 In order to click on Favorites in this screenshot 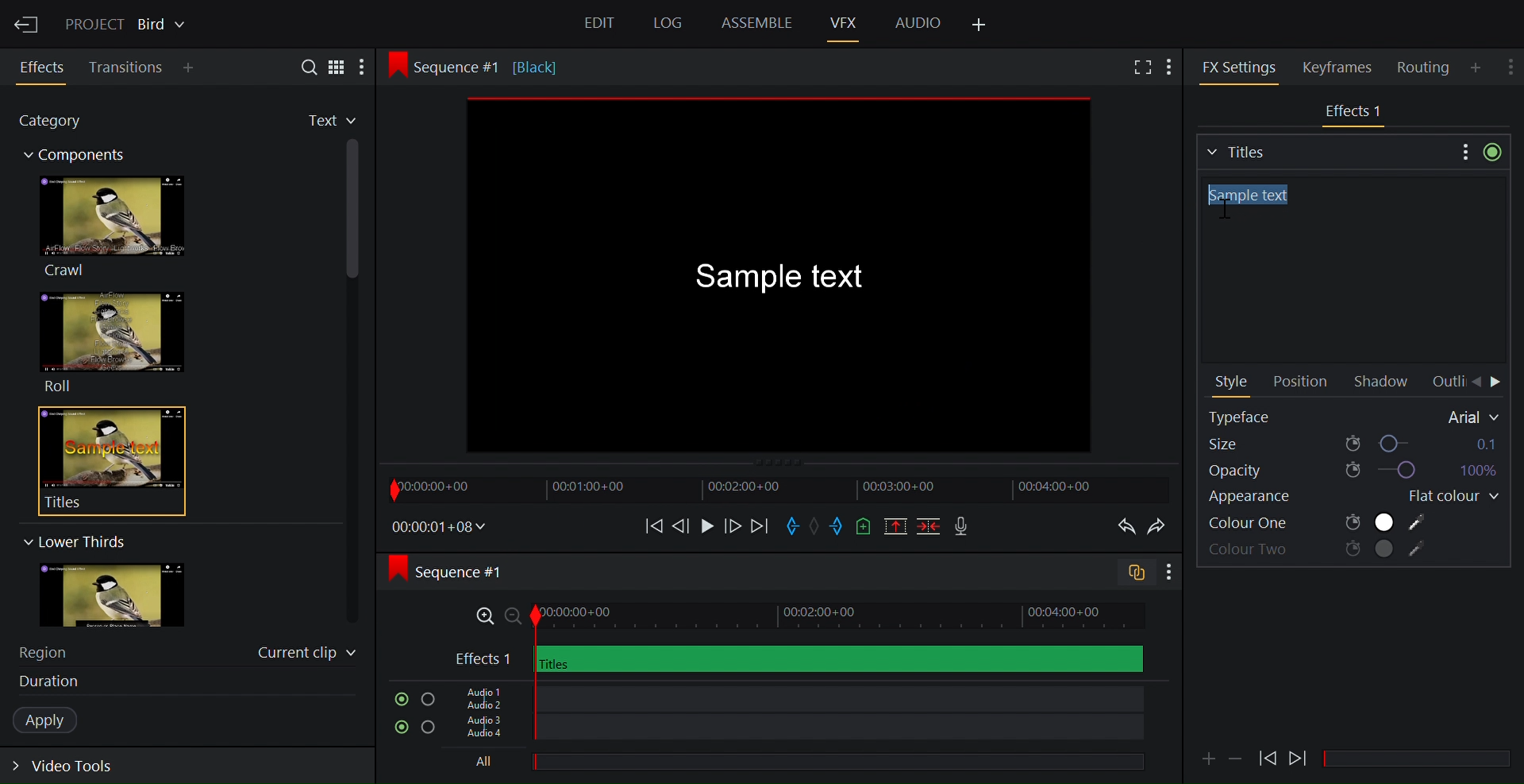, I will do `click(318, 121)`.